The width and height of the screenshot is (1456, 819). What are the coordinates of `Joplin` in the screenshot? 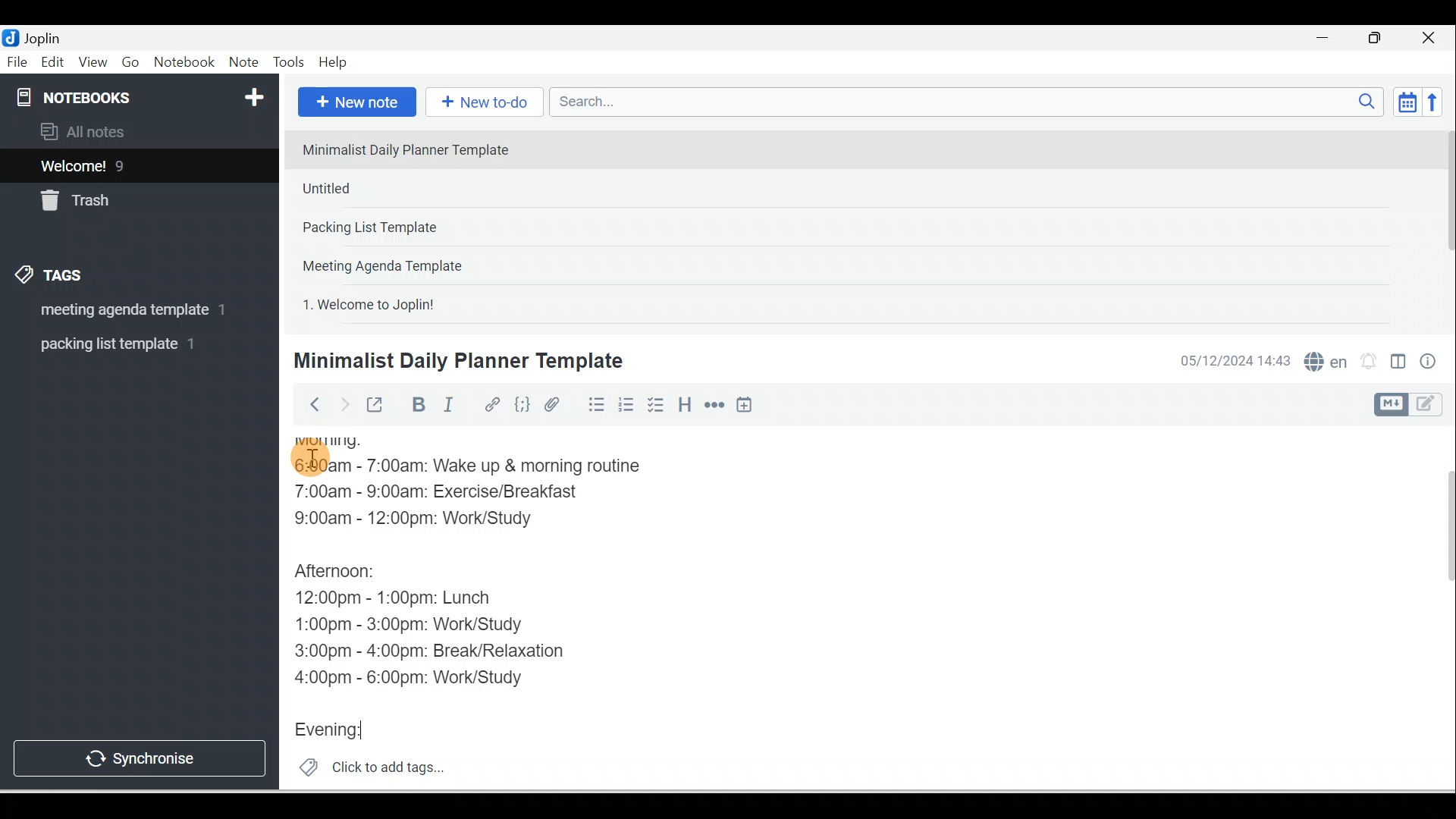 It's located at (46, 36).